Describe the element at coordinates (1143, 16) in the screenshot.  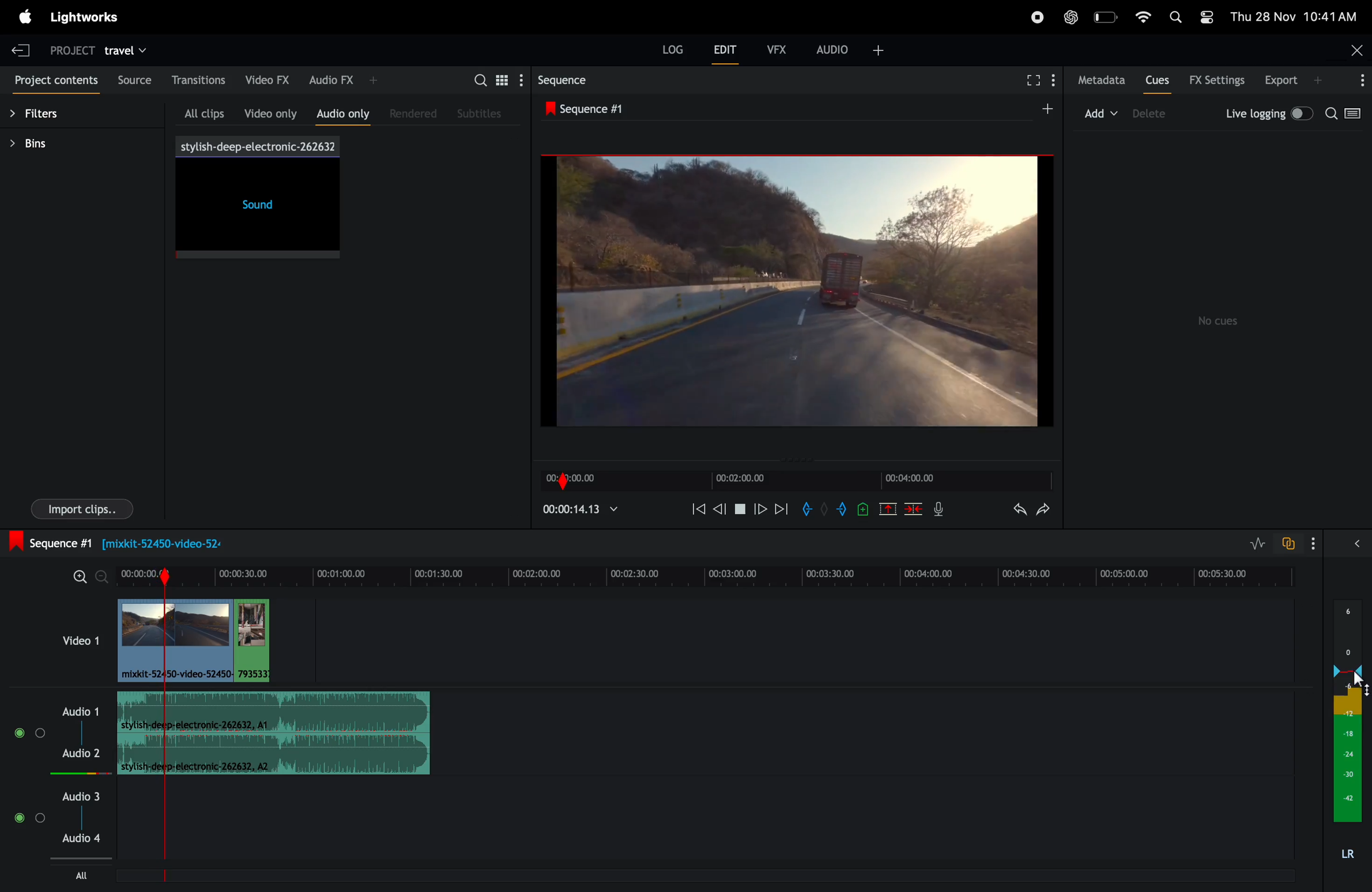
I see `wifi` at that location.